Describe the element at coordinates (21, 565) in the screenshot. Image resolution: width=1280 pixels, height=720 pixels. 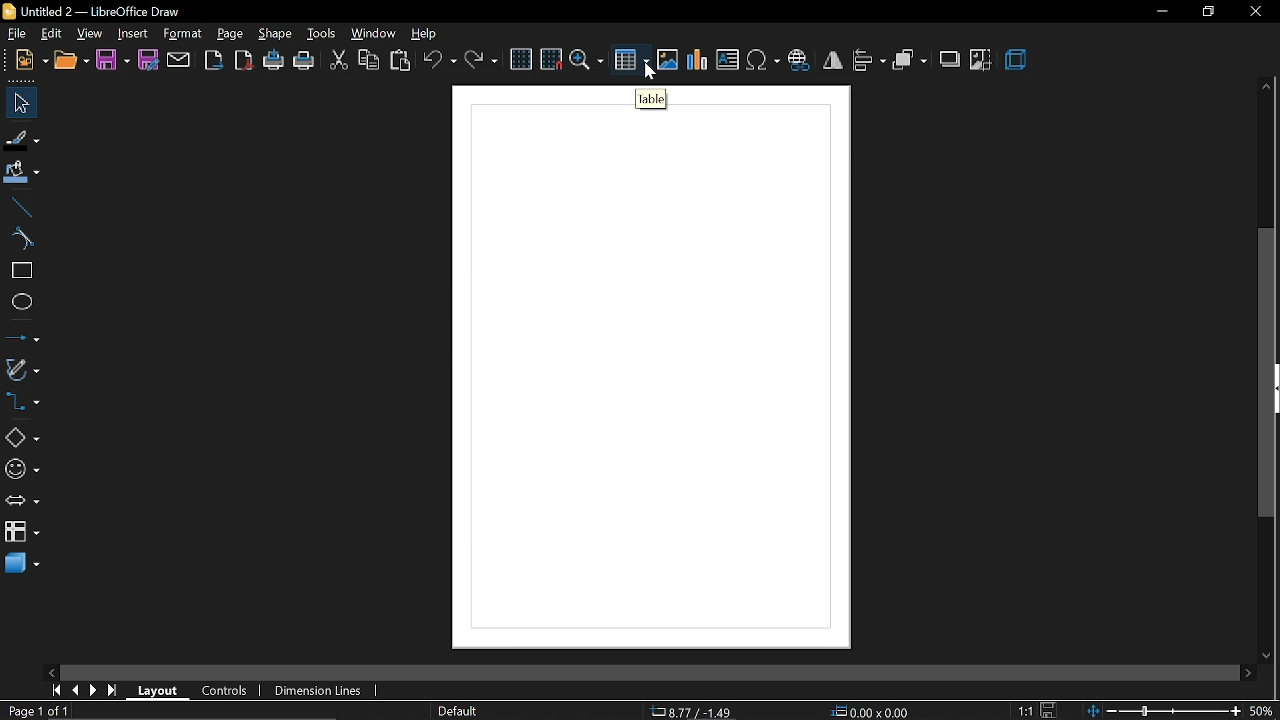
I see `3d shapes` at that location.